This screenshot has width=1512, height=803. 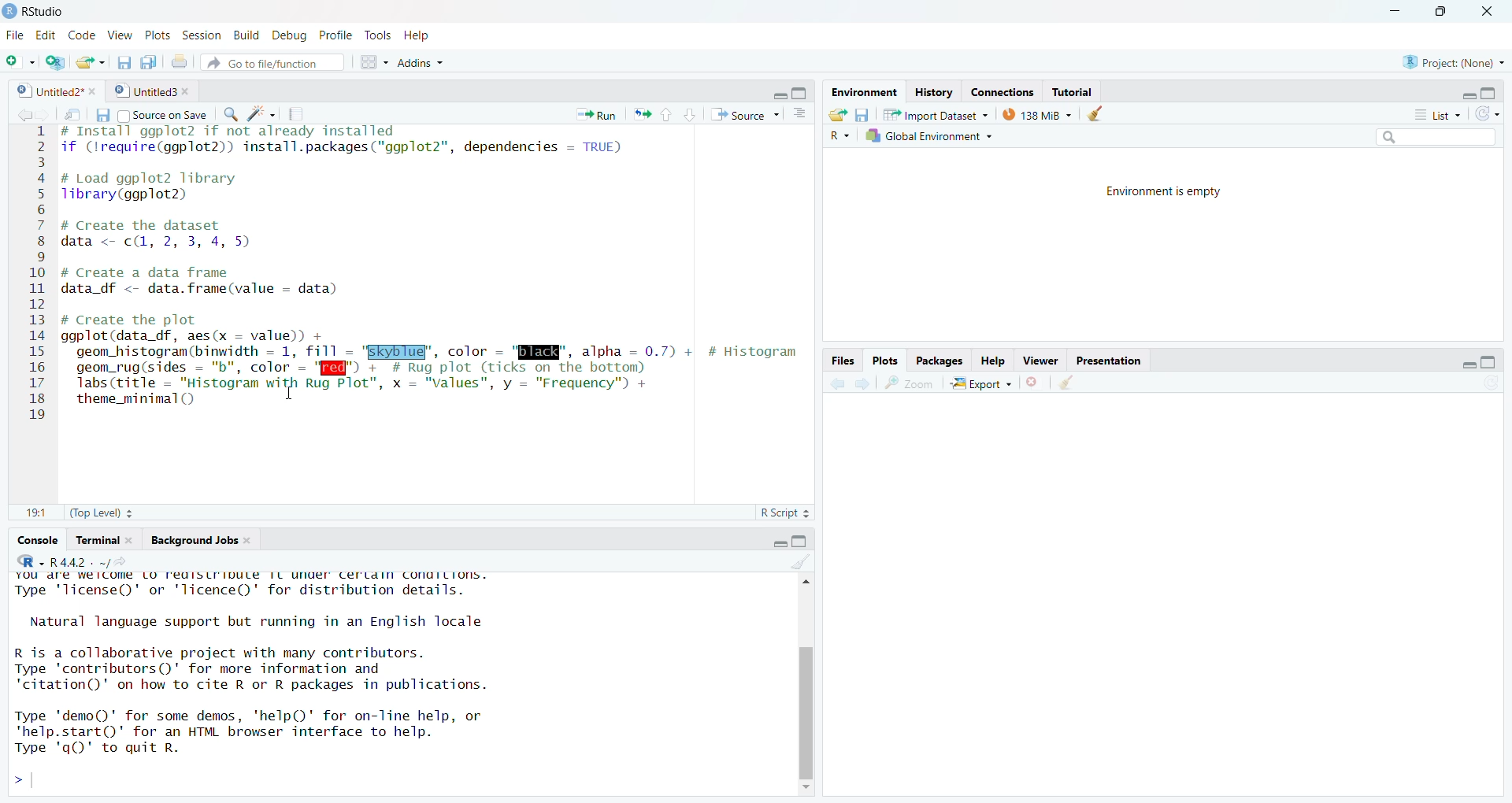 I want to click on 11:11, so click(x=27, y=510).